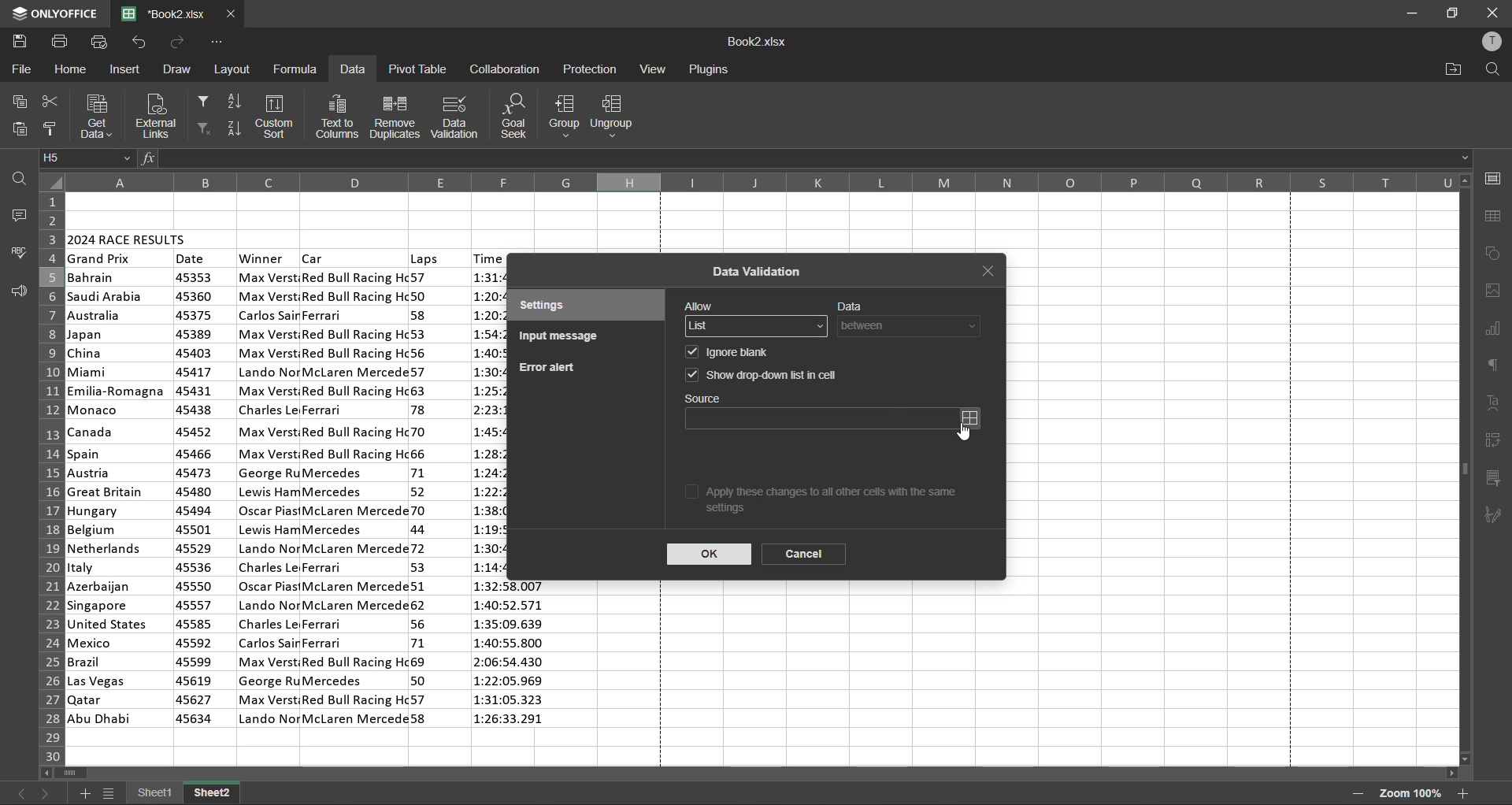 The width and height of the screenshot is (1512, 805). Describe the element at coordinates (98, 42) in the screenshot. I see `quick print` at that location.